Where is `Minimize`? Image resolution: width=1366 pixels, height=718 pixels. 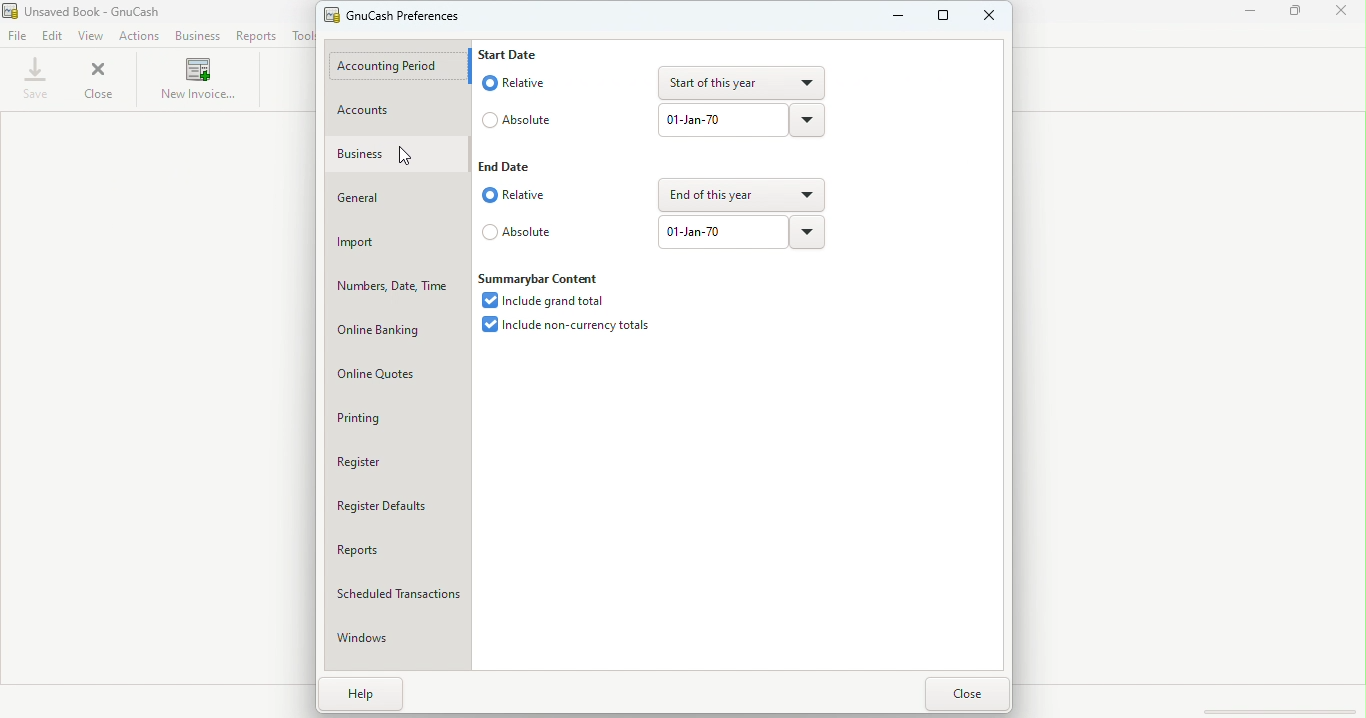 Minimize is located at coordinates (889, 24).